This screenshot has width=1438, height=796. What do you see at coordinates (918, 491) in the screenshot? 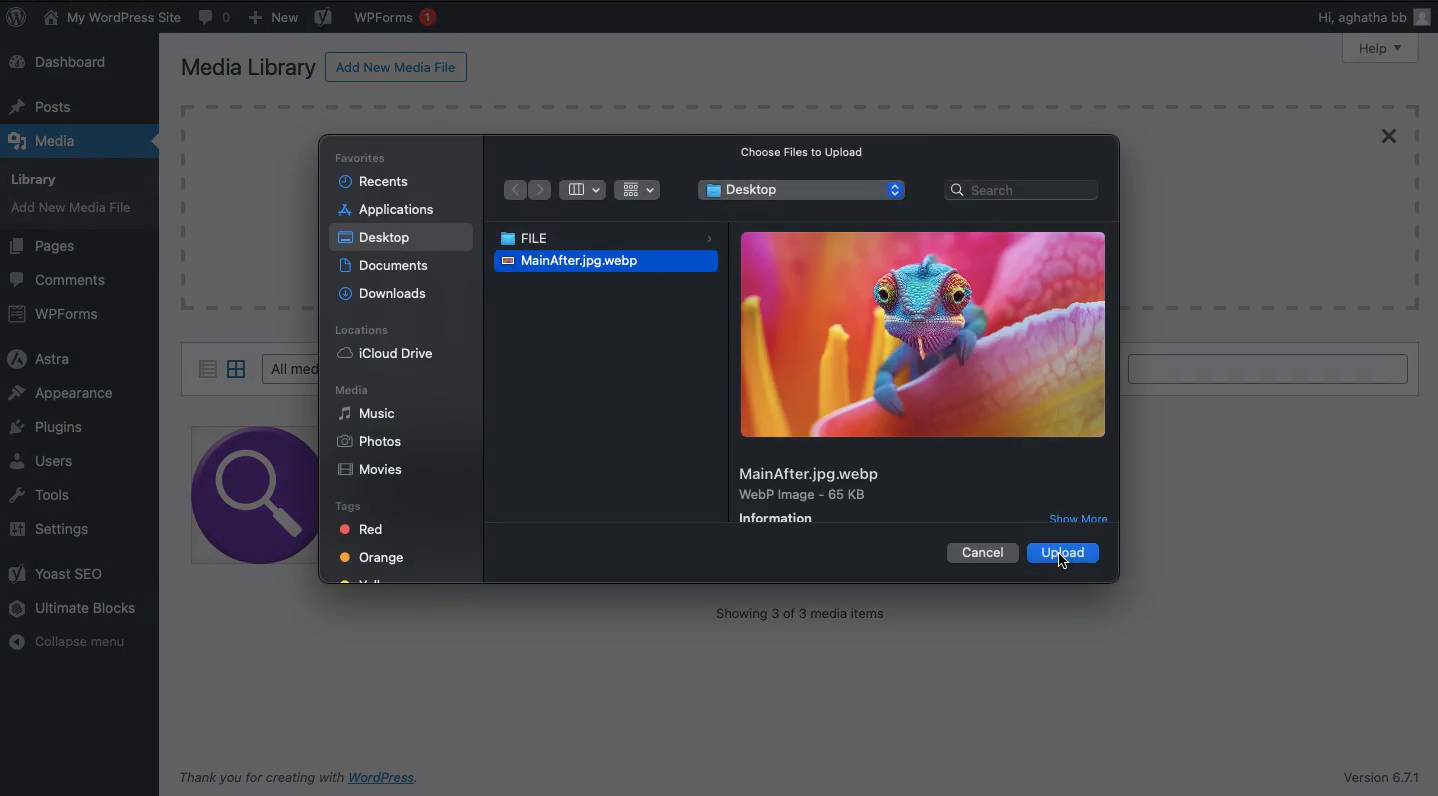
I see `Details` at bounding box center [918, 491].